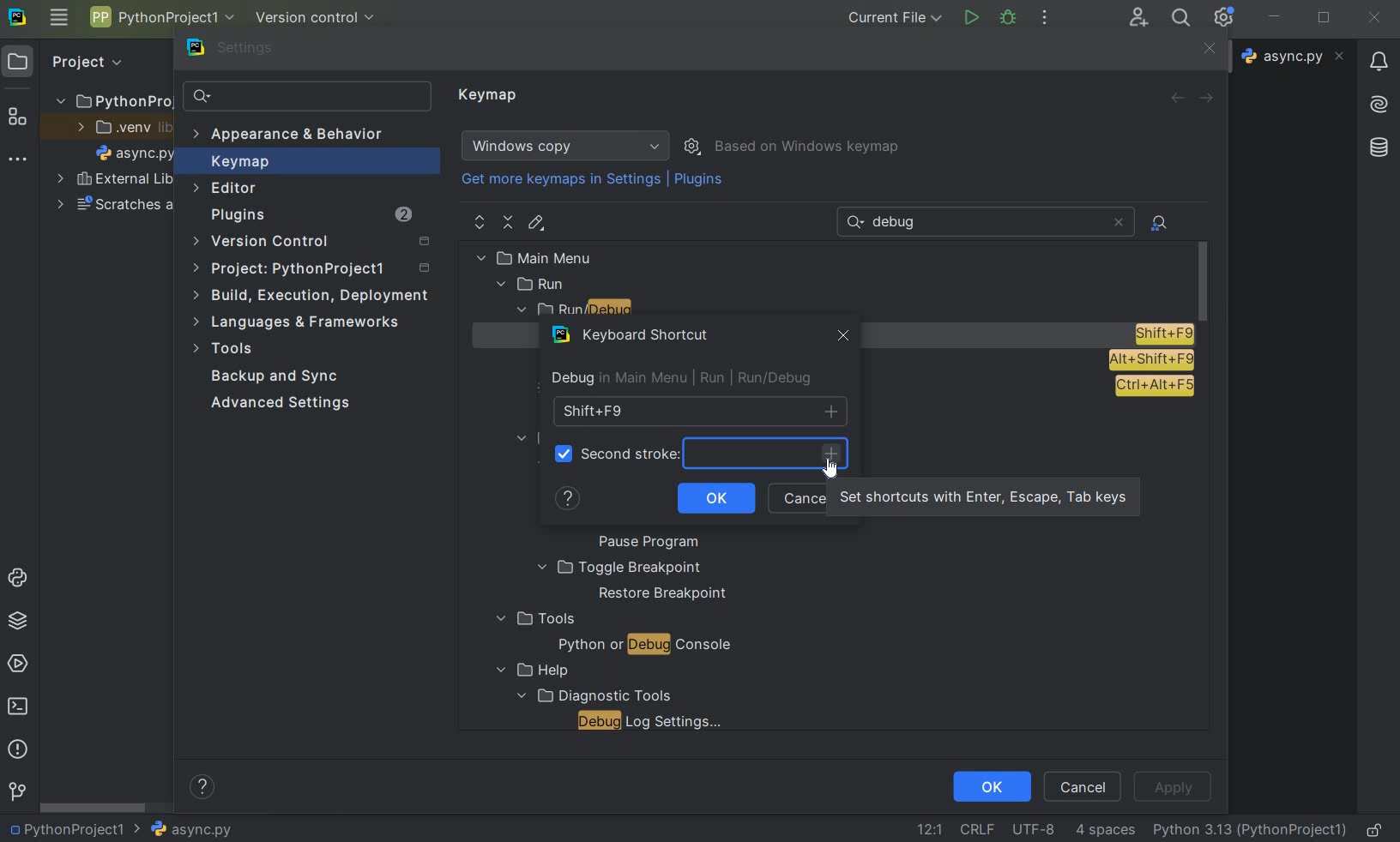  What do you see at coordinates (1163, 334) in the screenshot?
I see `Shift+F9` at bounding box center [1163, 334].